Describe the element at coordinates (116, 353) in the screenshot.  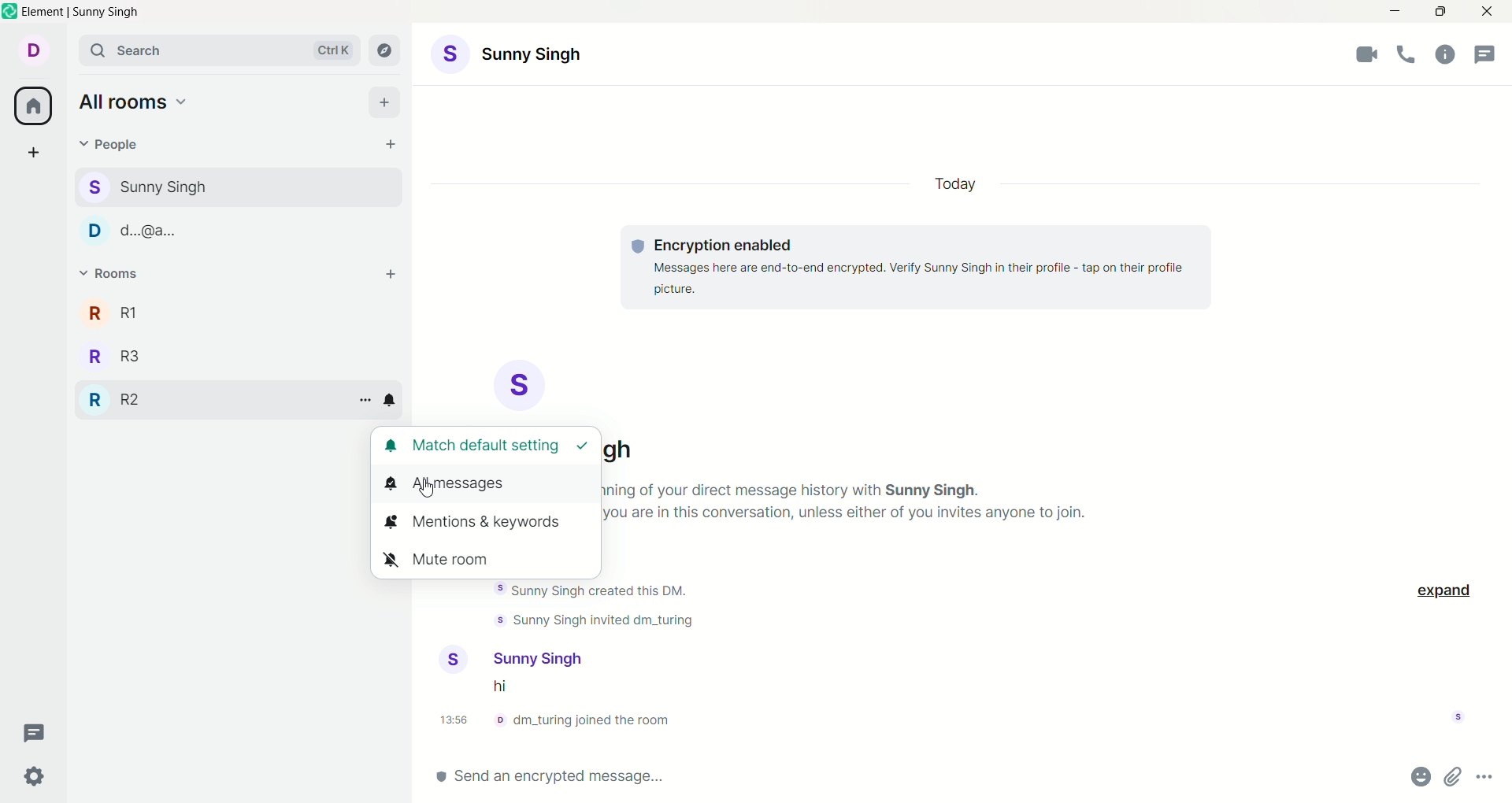
I see `R3` at that location.